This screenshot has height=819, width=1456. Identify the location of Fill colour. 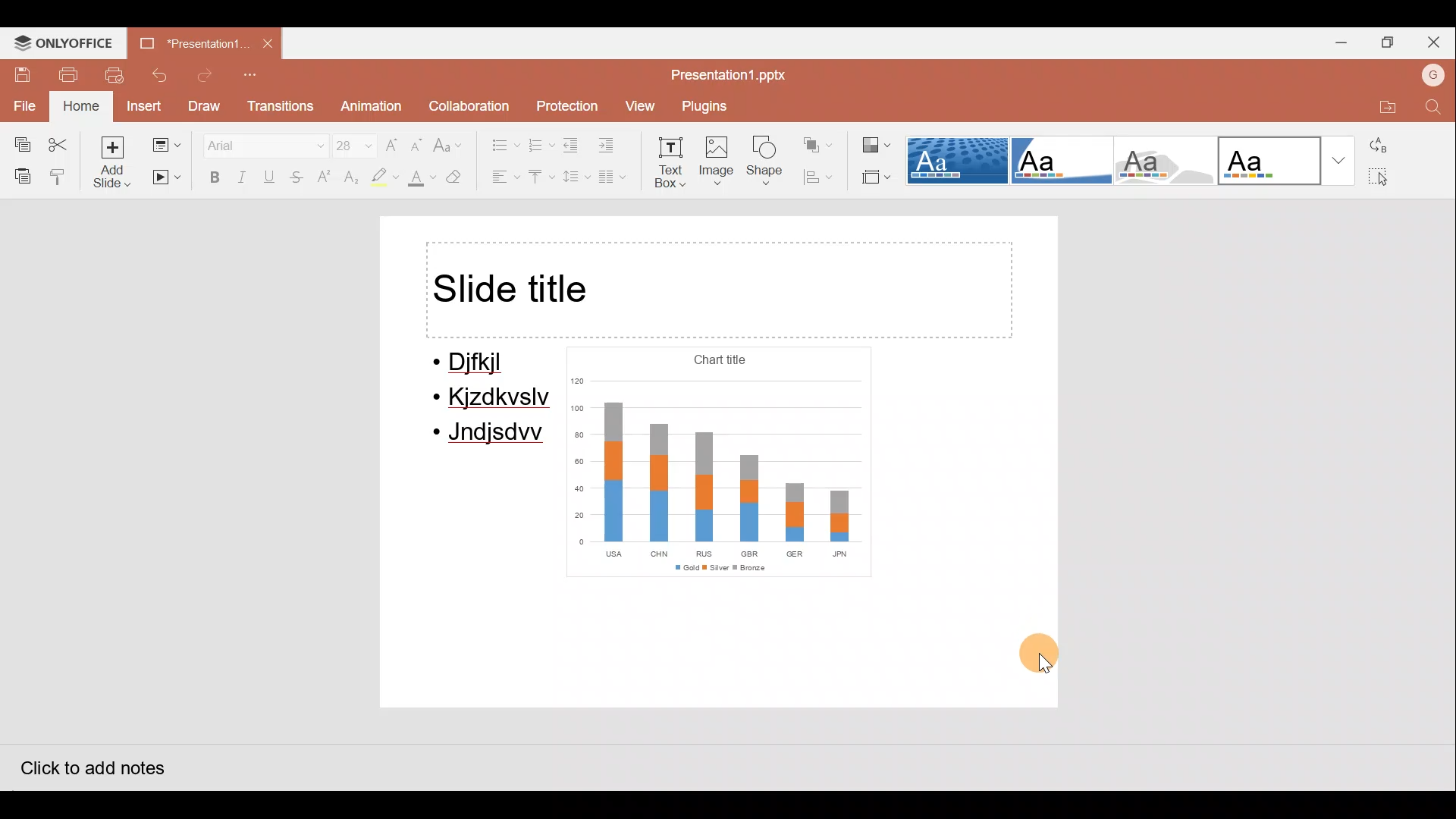
(420, 180).